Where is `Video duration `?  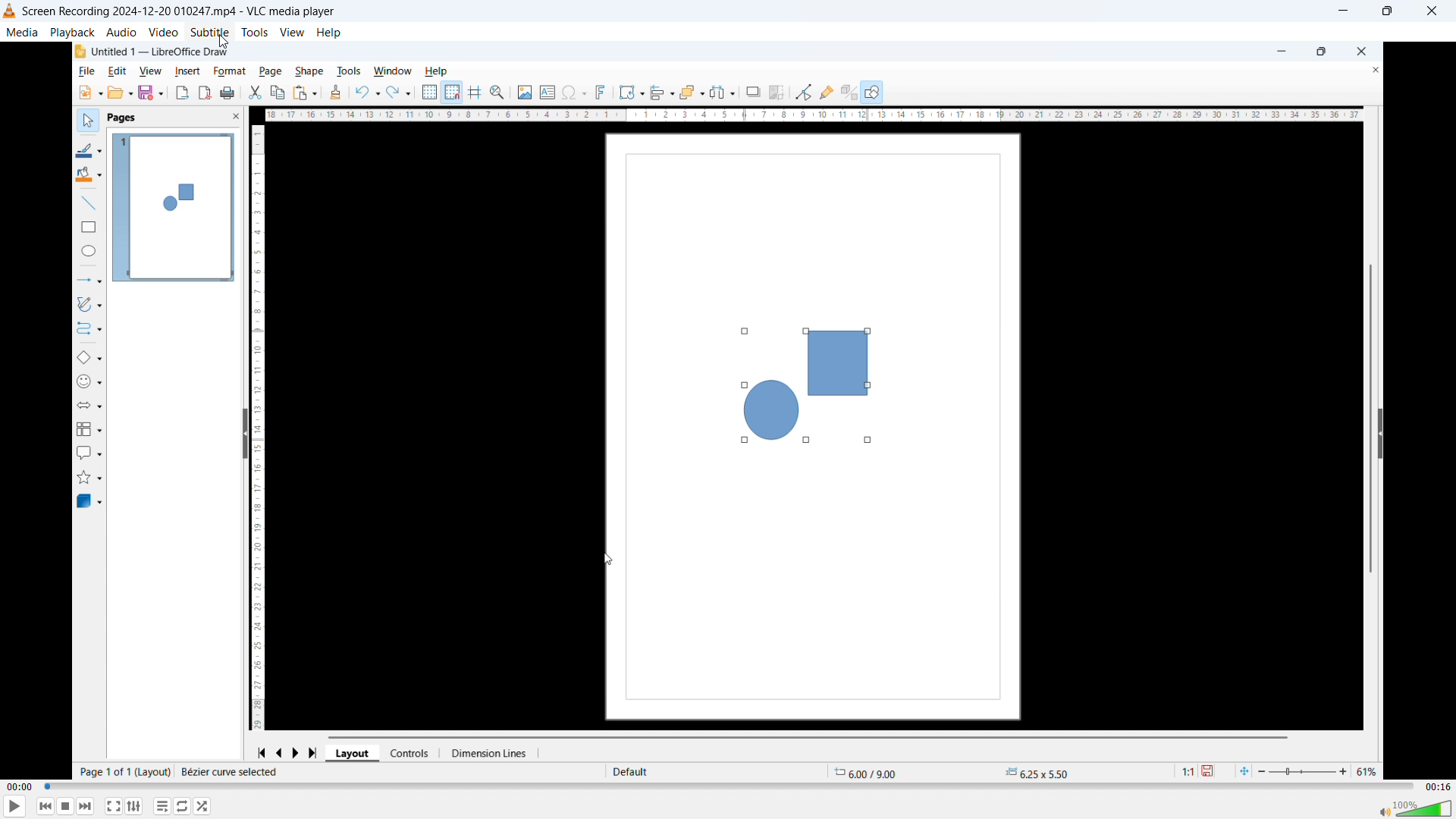 Video duration  is located at coordinates (1437, 787).